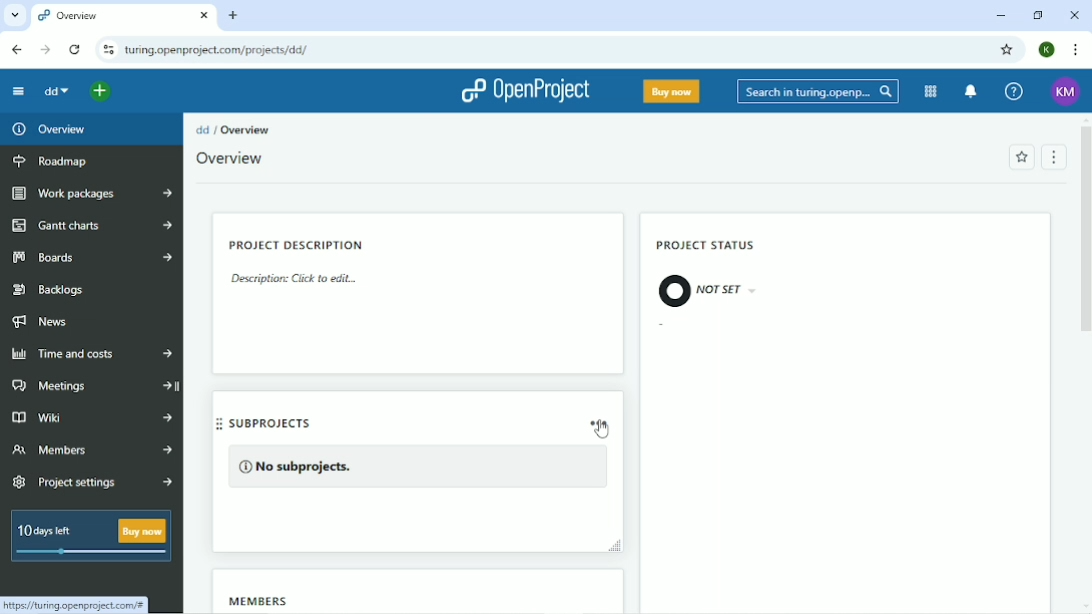  What do you see at coordinates (1064, 92) in the screenshot?
I see `Account` at bounding box center [1064, 92].